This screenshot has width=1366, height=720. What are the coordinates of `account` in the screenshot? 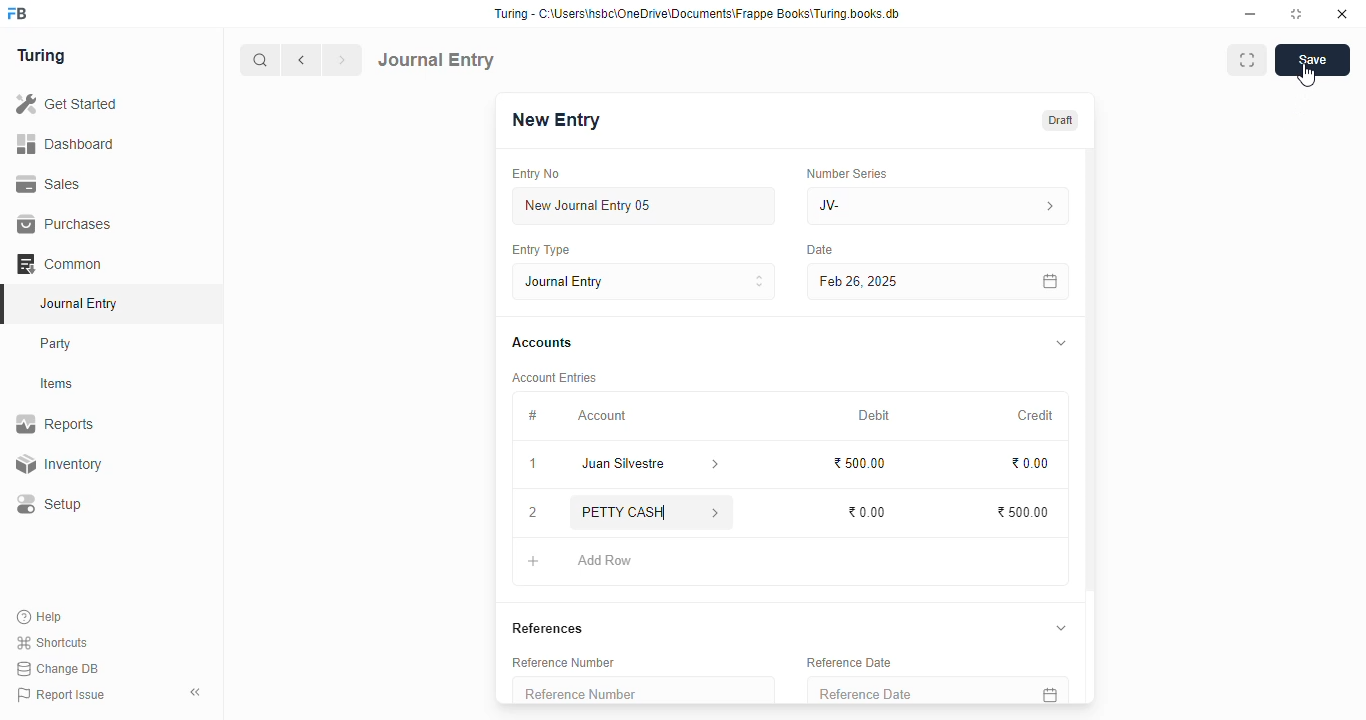 It's located at (602, 415).